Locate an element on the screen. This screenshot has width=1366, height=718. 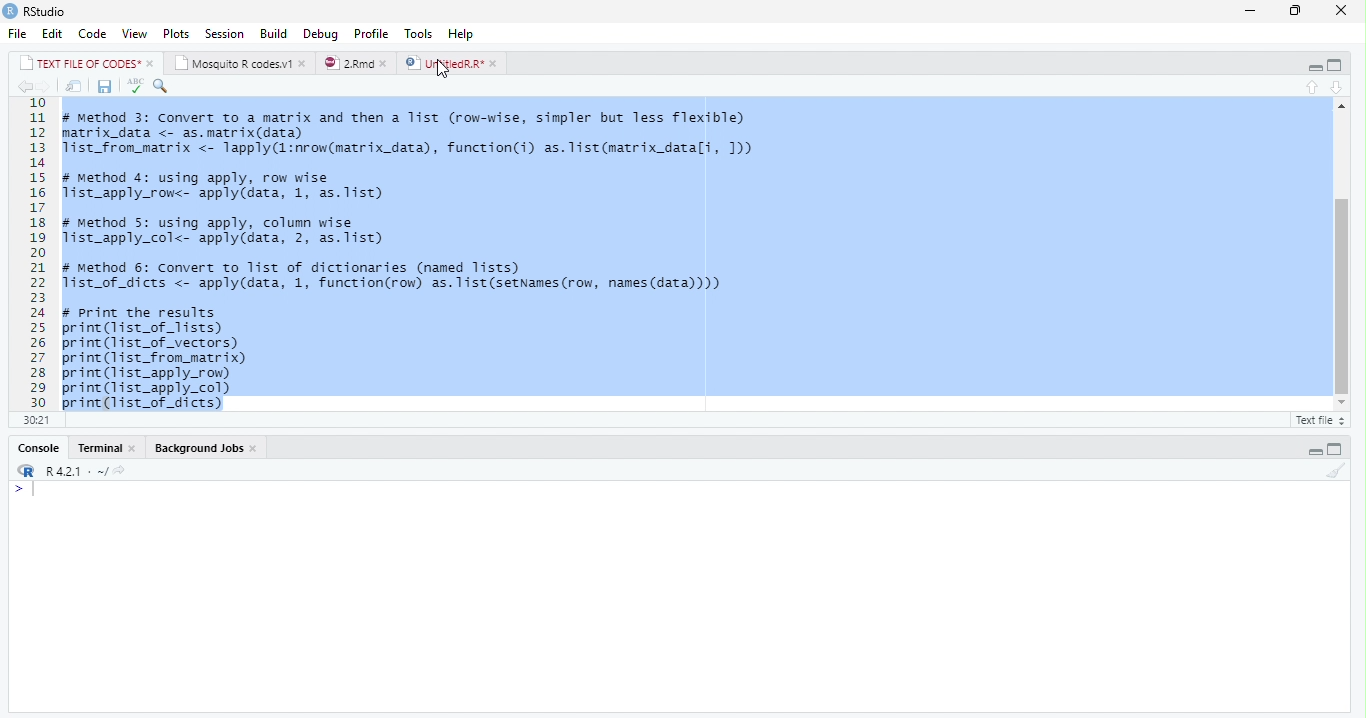
Previous section is located at coordinates (1312, 86).